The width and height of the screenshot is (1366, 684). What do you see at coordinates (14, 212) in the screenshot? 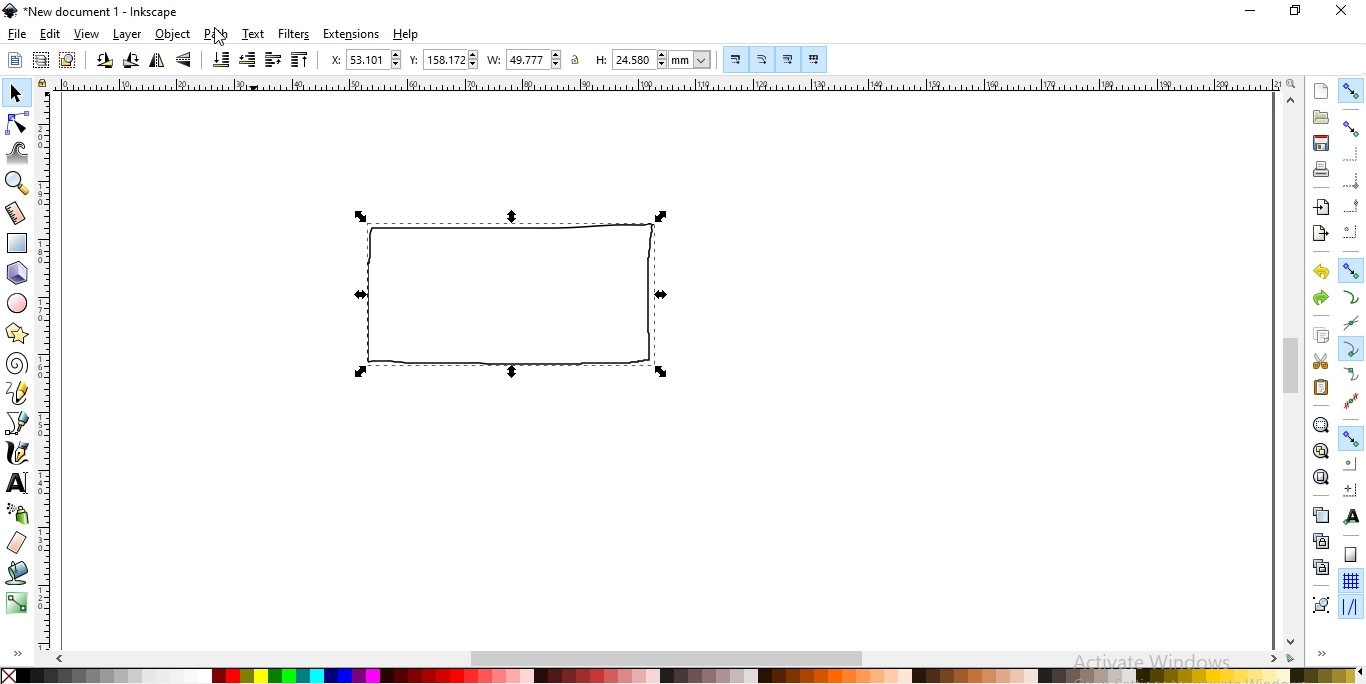
I see `measurement tool` at bounding box center [14, 212].